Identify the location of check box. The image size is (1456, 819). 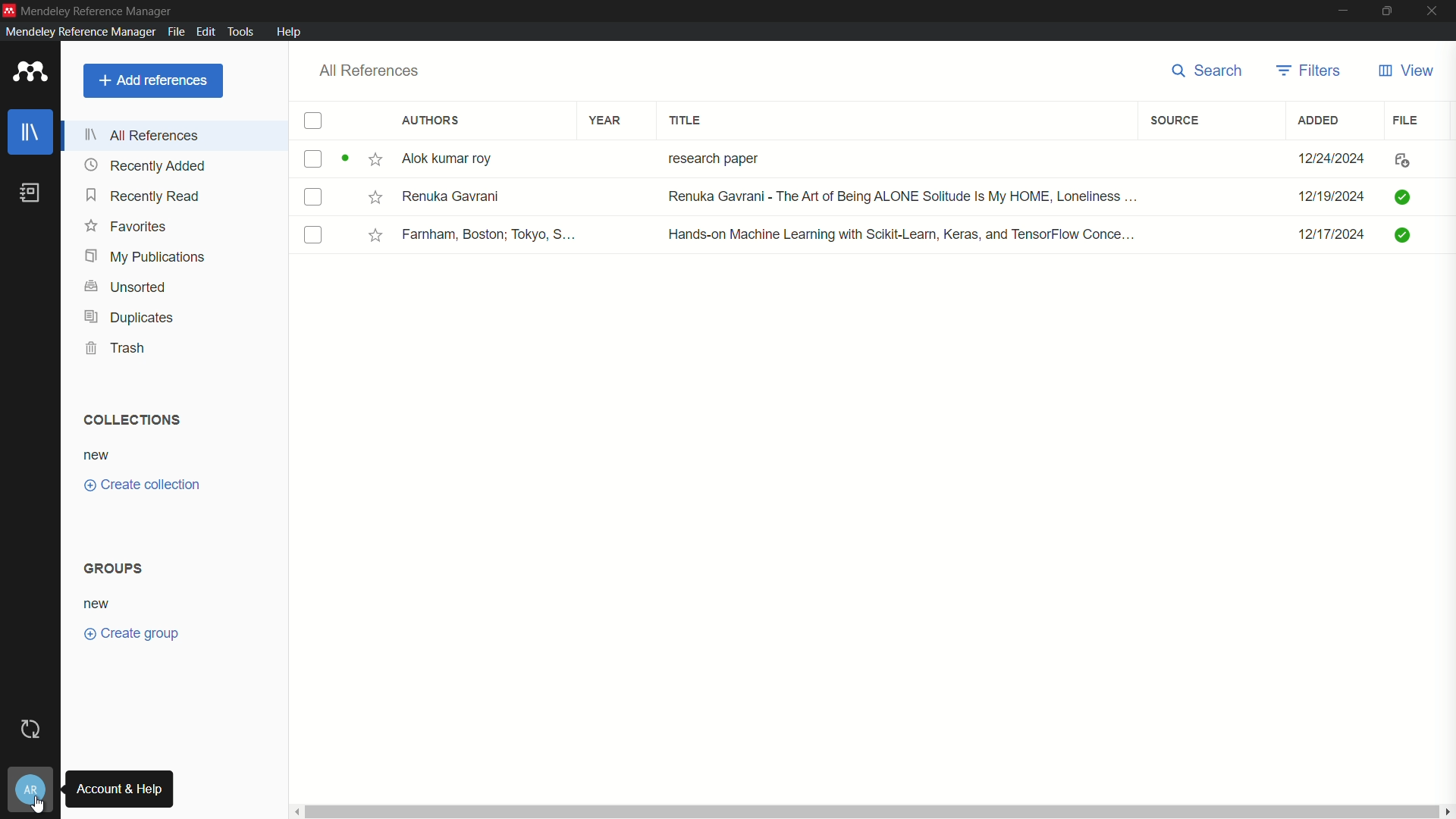
(315, 122).